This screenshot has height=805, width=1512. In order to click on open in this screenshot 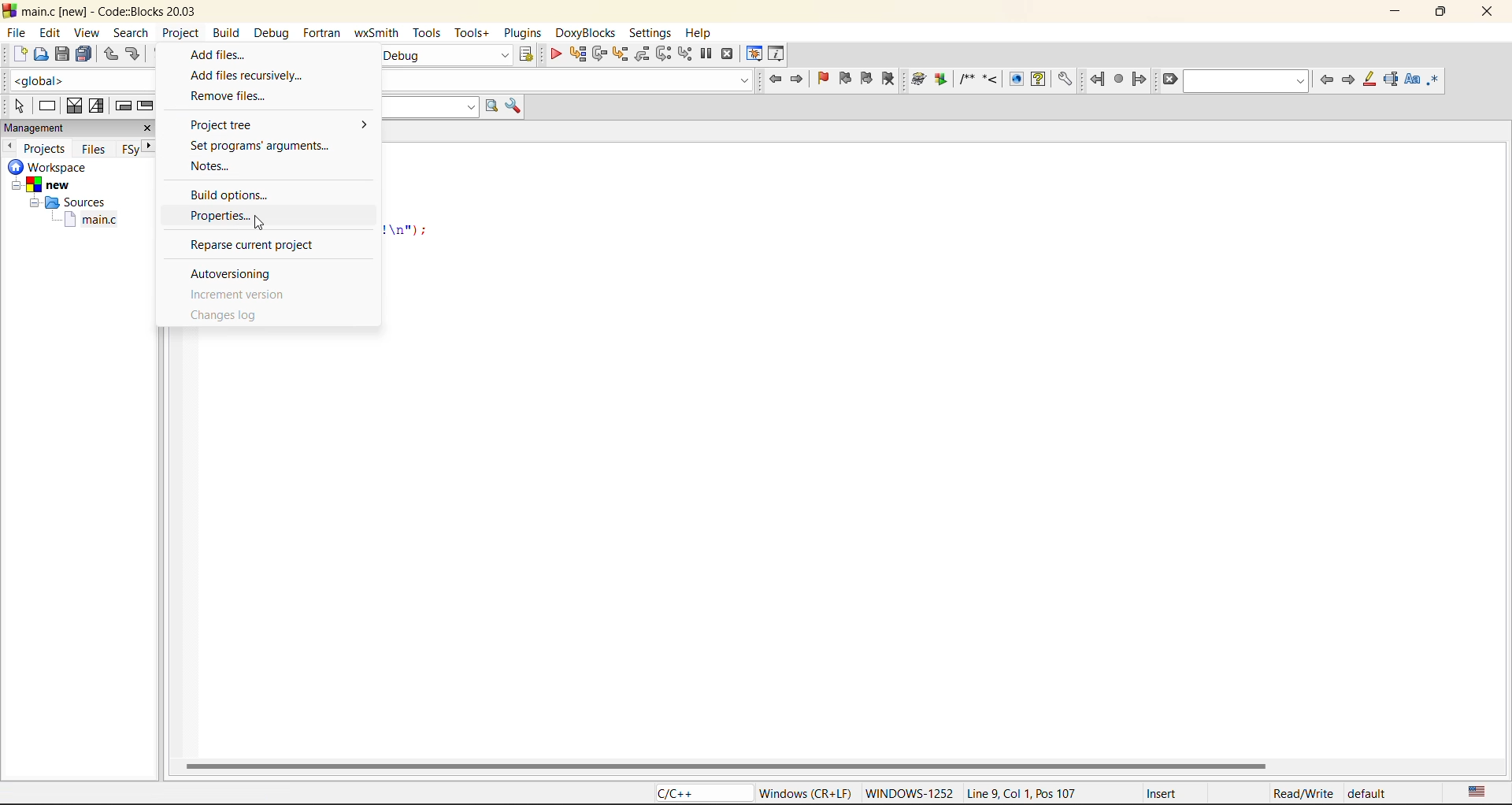, I will do `click(42, 54)`.